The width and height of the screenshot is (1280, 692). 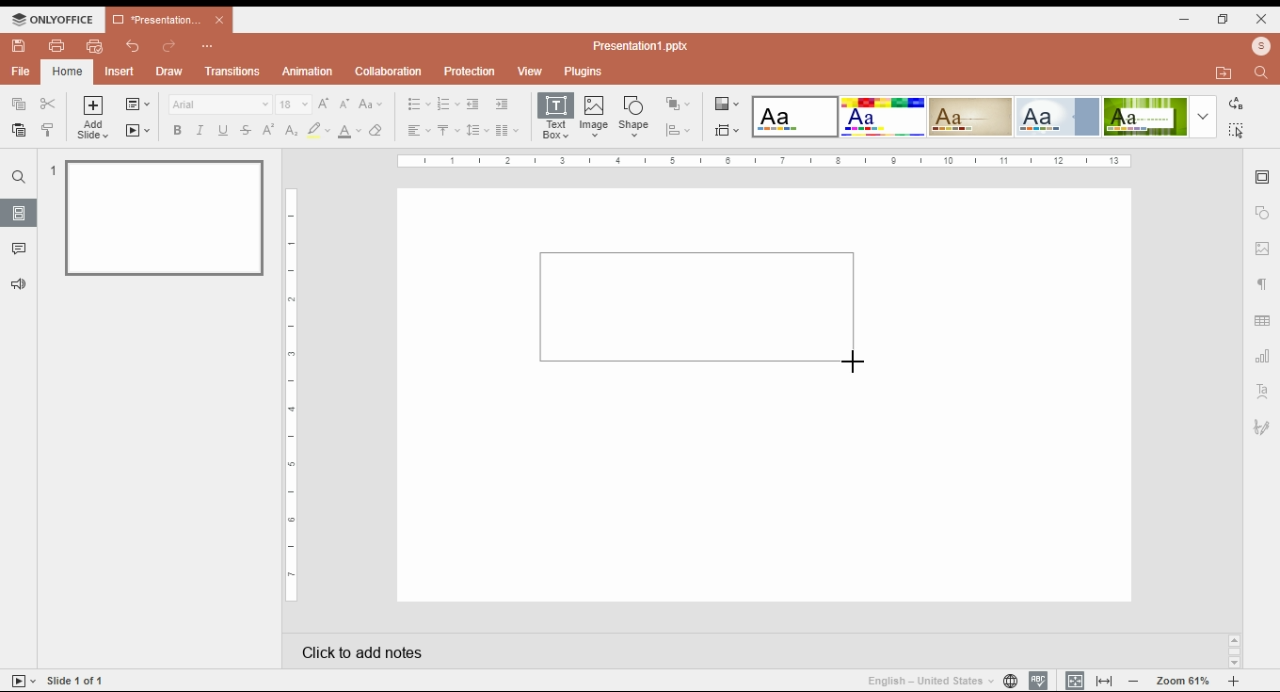 I want to click on quick print, so click(x=95, y=45).